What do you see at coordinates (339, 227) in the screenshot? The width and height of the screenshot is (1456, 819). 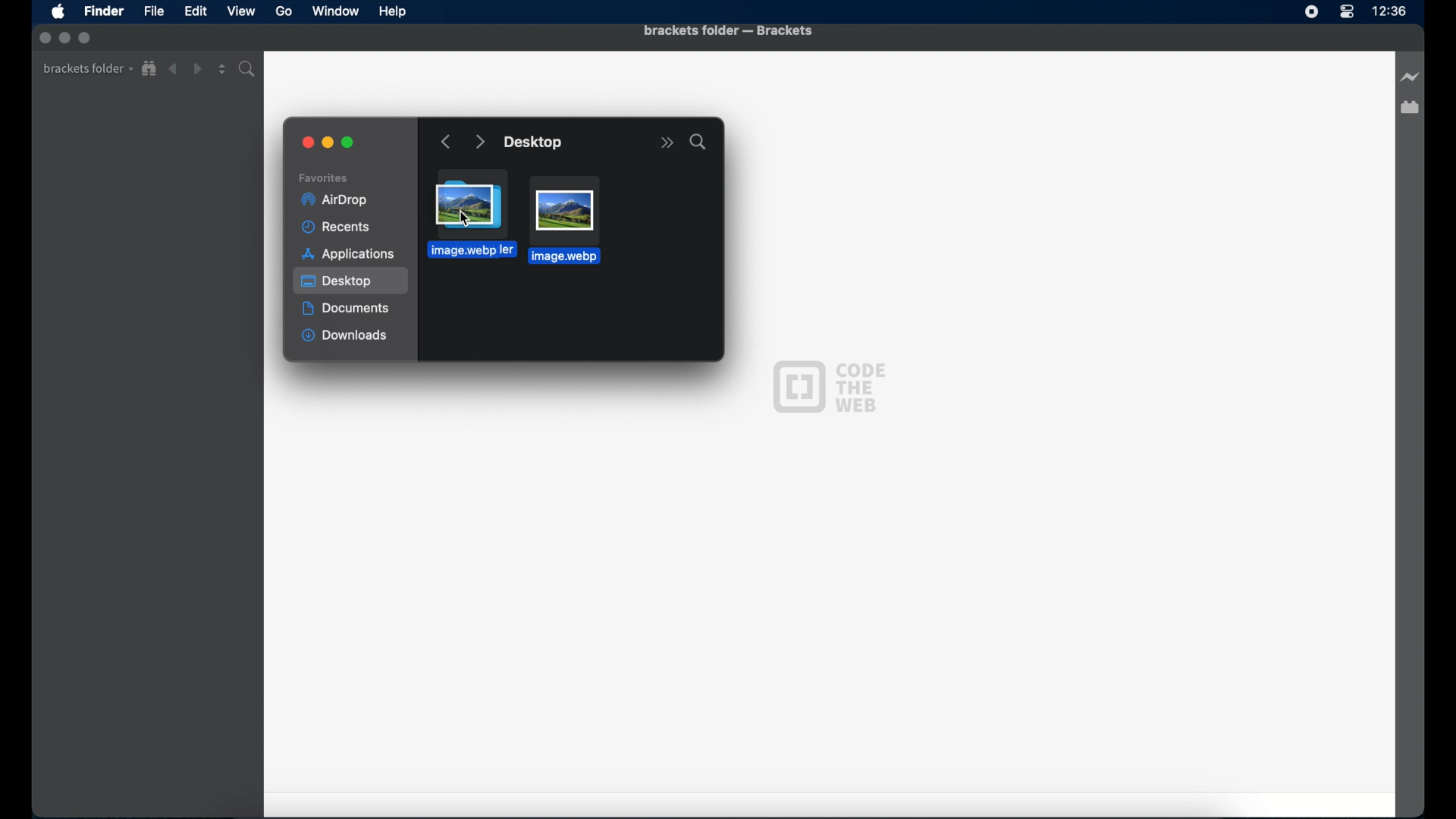 I see `recents` at bounding box center [339, 227].